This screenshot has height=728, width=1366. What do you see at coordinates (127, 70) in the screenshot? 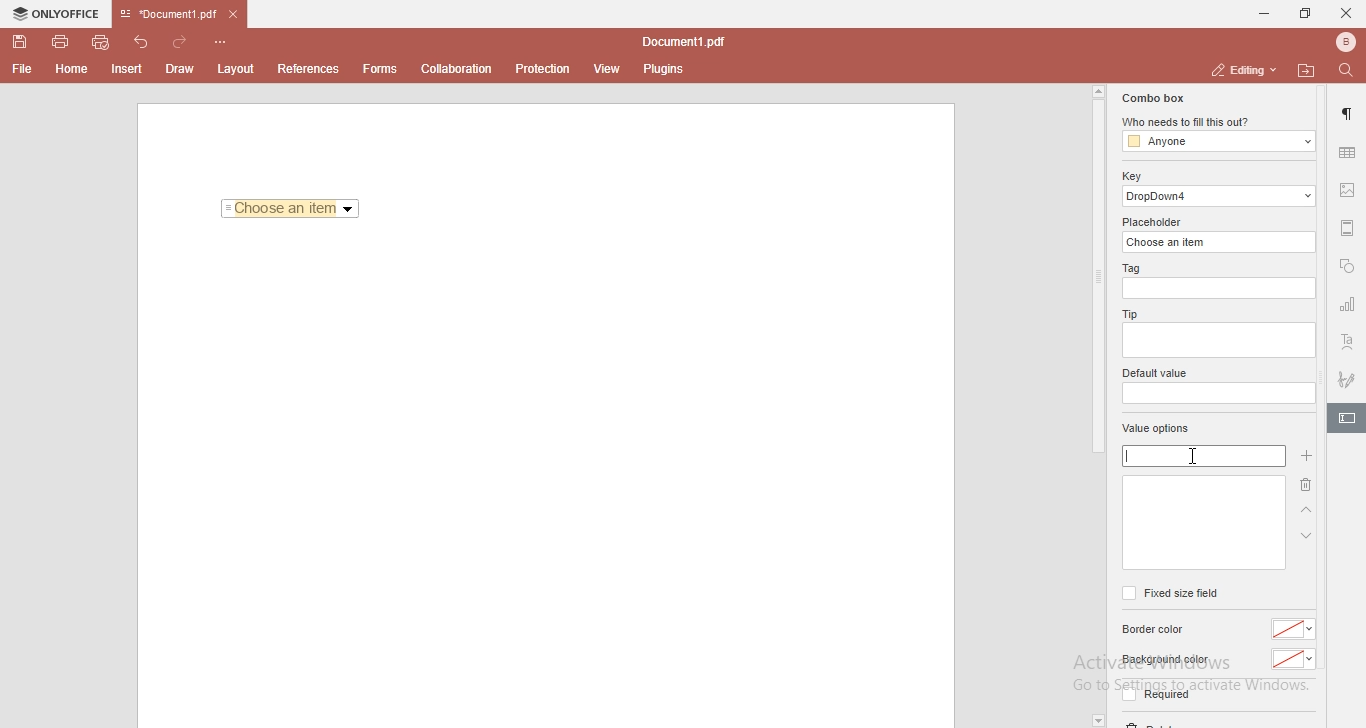
I see `Insert` at bounding box center [127, 70].